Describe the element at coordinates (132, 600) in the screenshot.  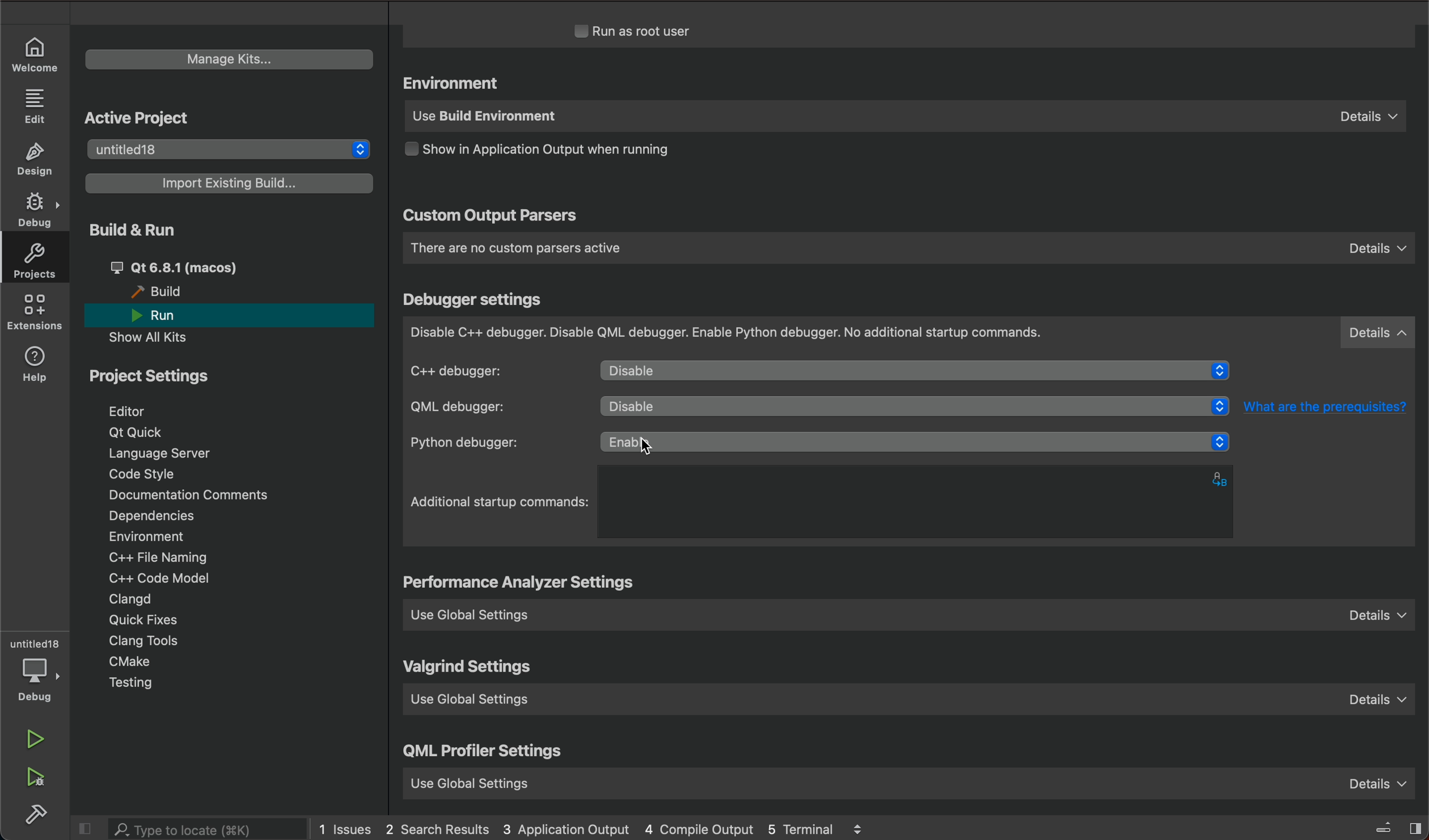
I see `clangd` at that location.